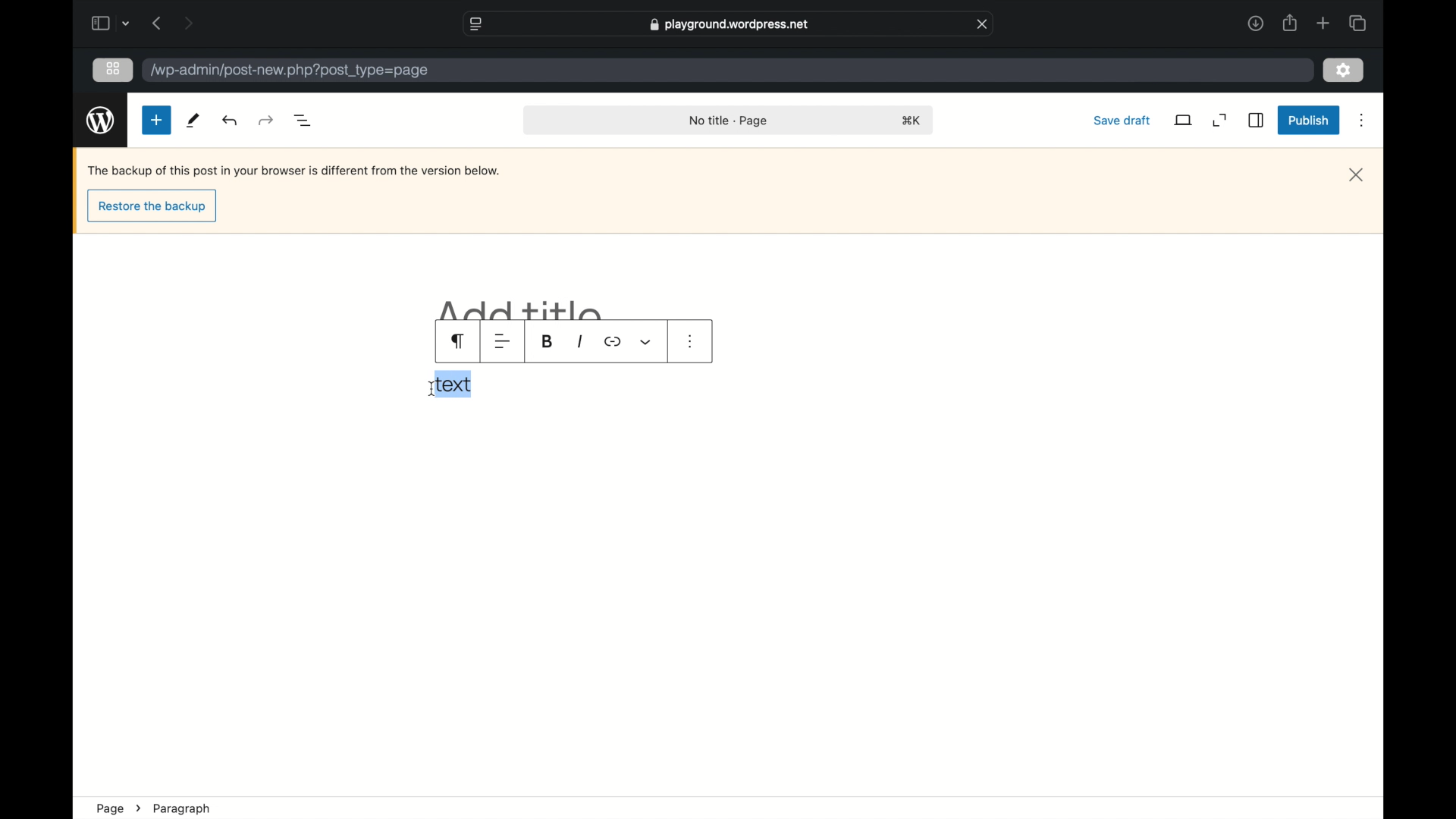  I want to click on view, so click(1184, 120).